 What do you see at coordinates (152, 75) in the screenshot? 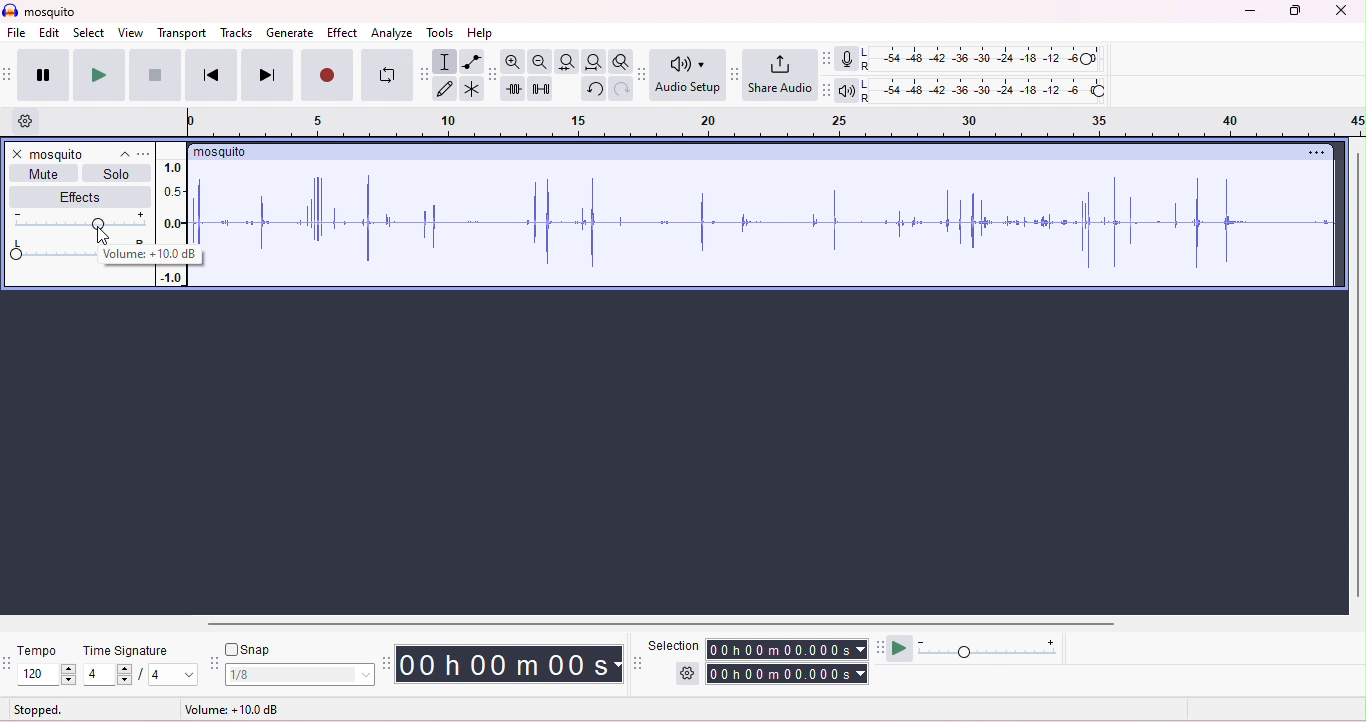
I see `stop` at bounding box center [152, 75].